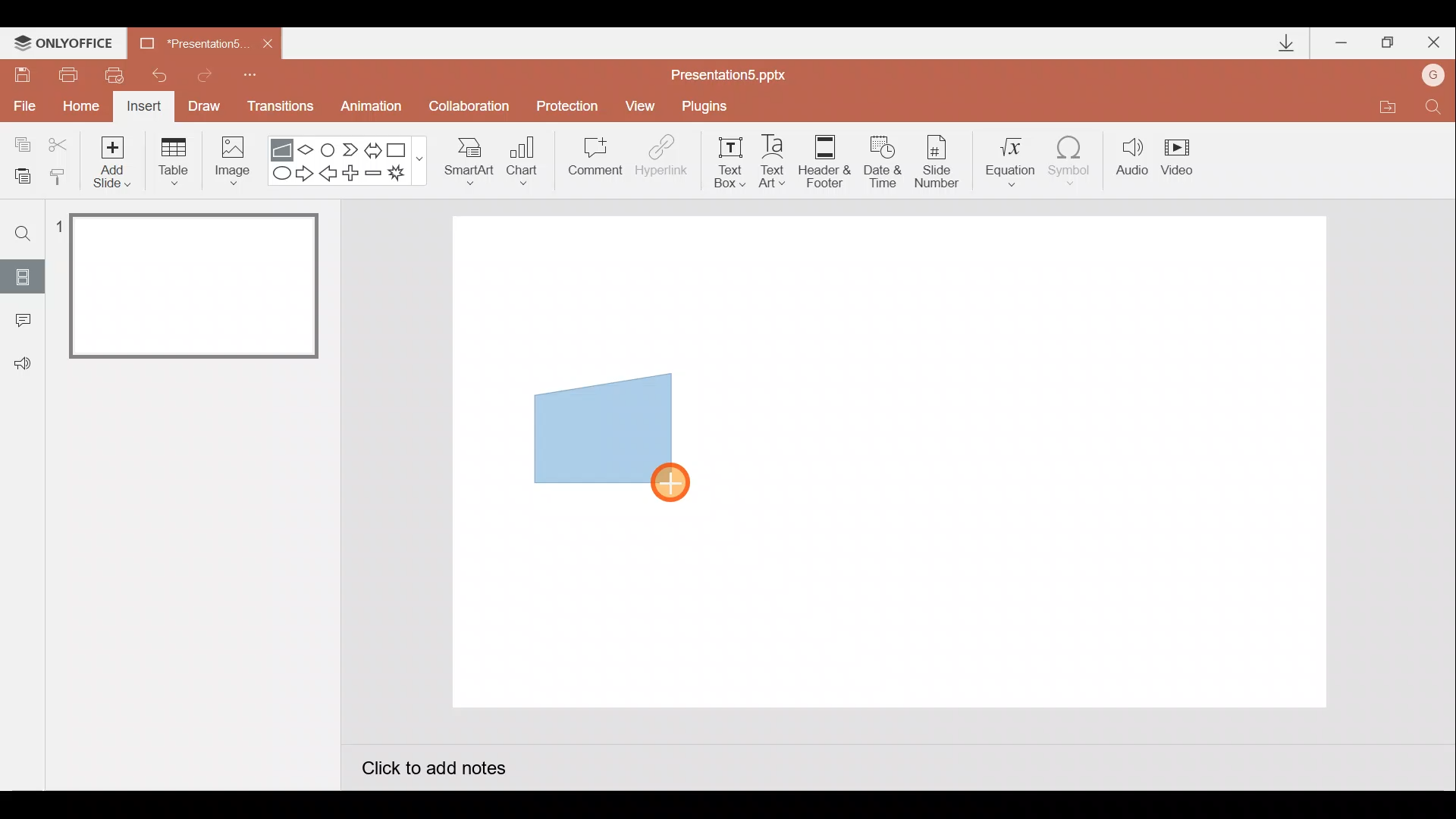 This screenshot has width=1456, height=819. What do you see at coordinates (61, 142) in the screenshot?
I see `Cut` at bounding box center [61, 142].